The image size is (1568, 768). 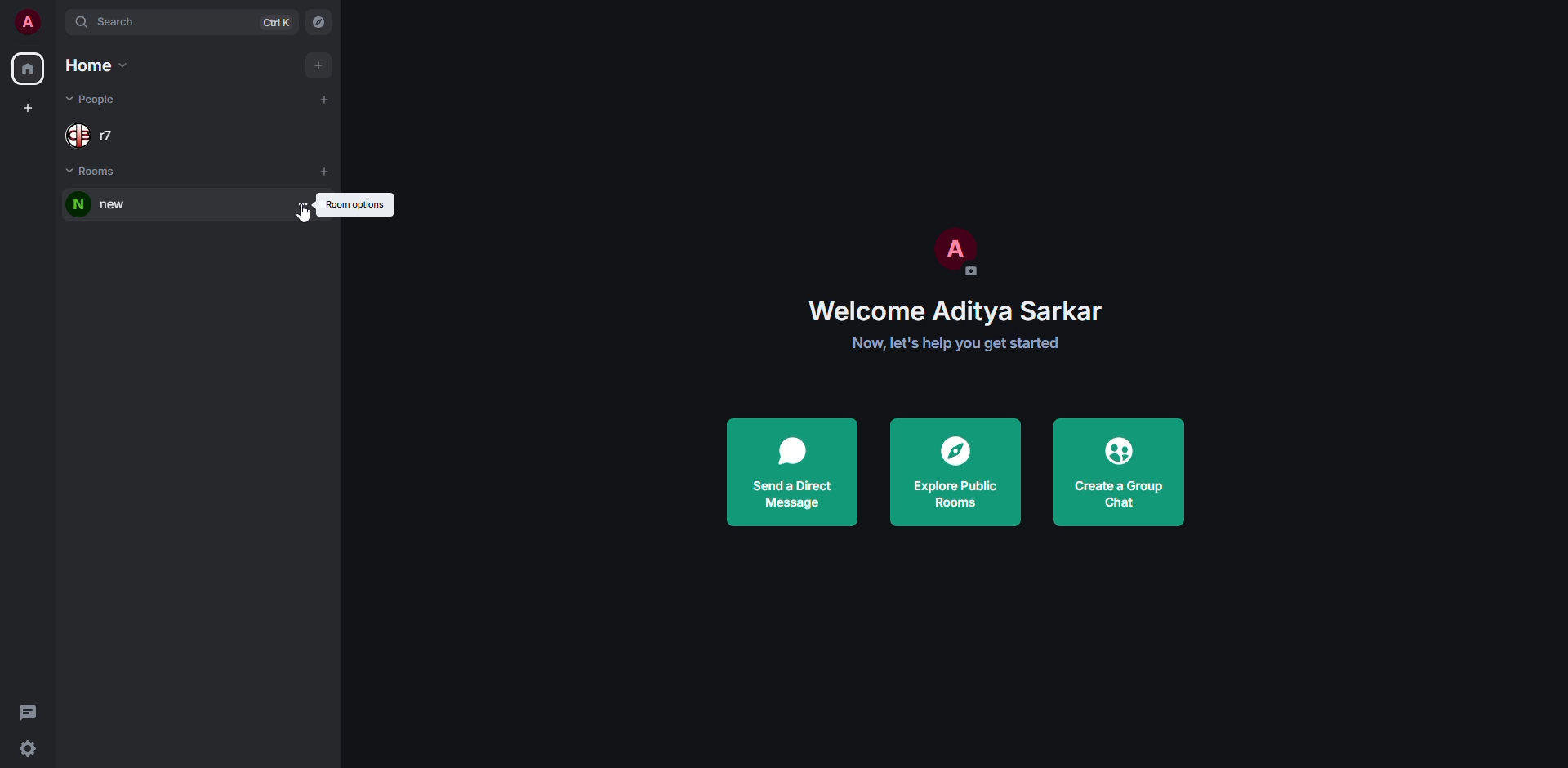 I want to click on send direct message, so click(x=791, y=473).